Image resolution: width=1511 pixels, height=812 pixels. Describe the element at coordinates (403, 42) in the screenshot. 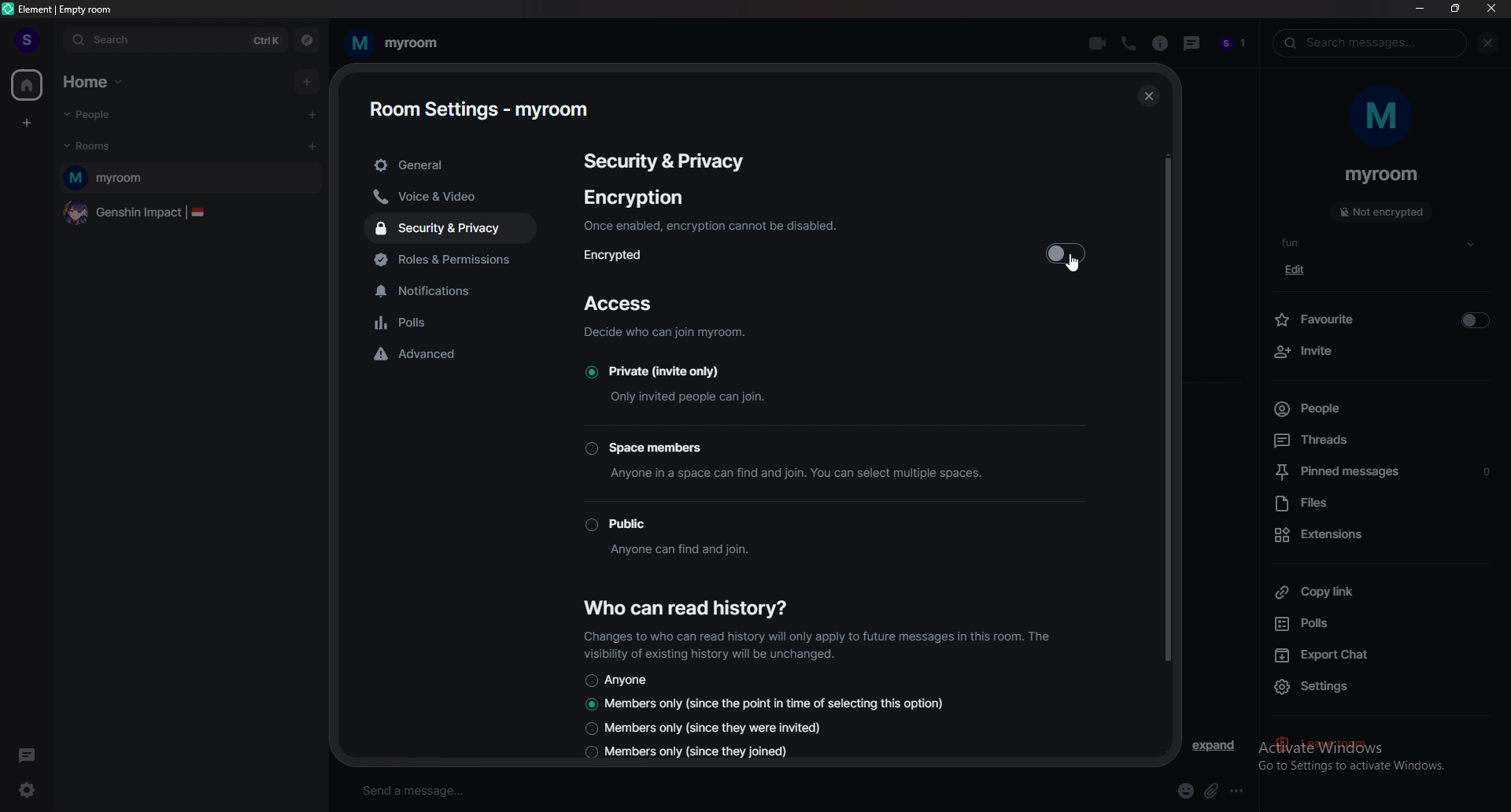

I see `my room` at that location.